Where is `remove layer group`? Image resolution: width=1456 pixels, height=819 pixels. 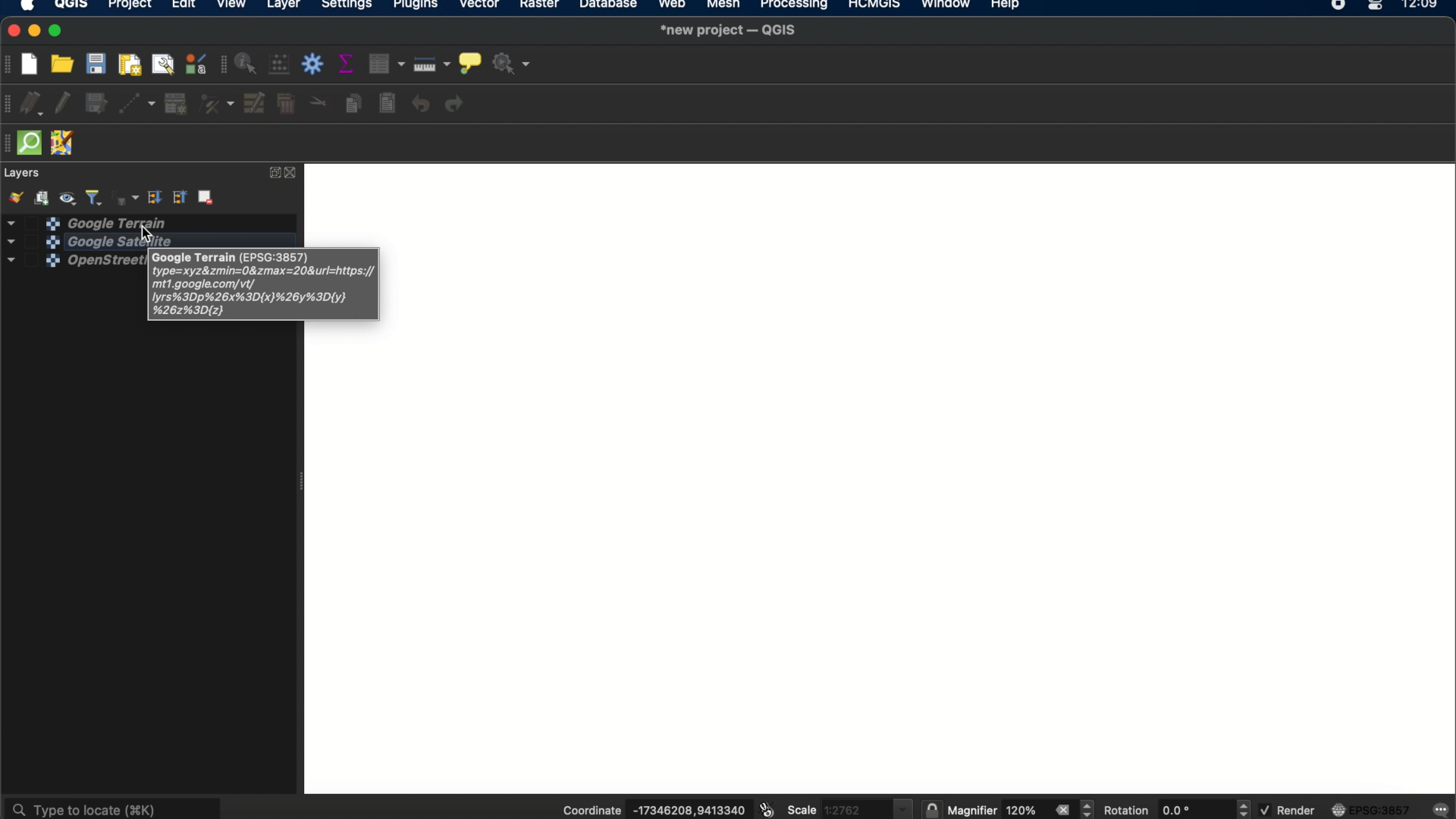
remove layer group is located at coordinates (208, 199).